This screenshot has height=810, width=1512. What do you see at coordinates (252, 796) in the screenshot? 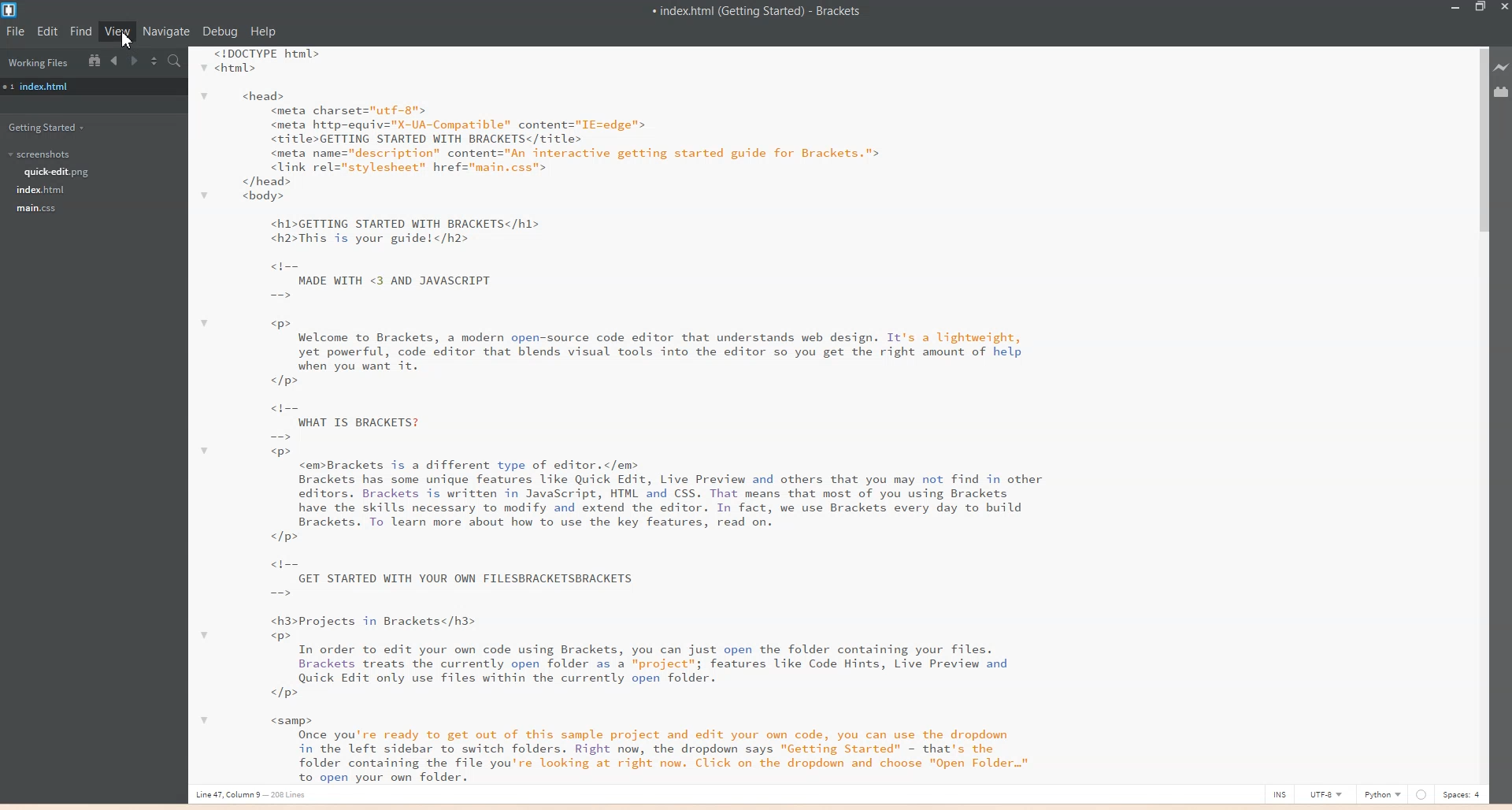
I see `Line, column` at bounding box center [252, 796].